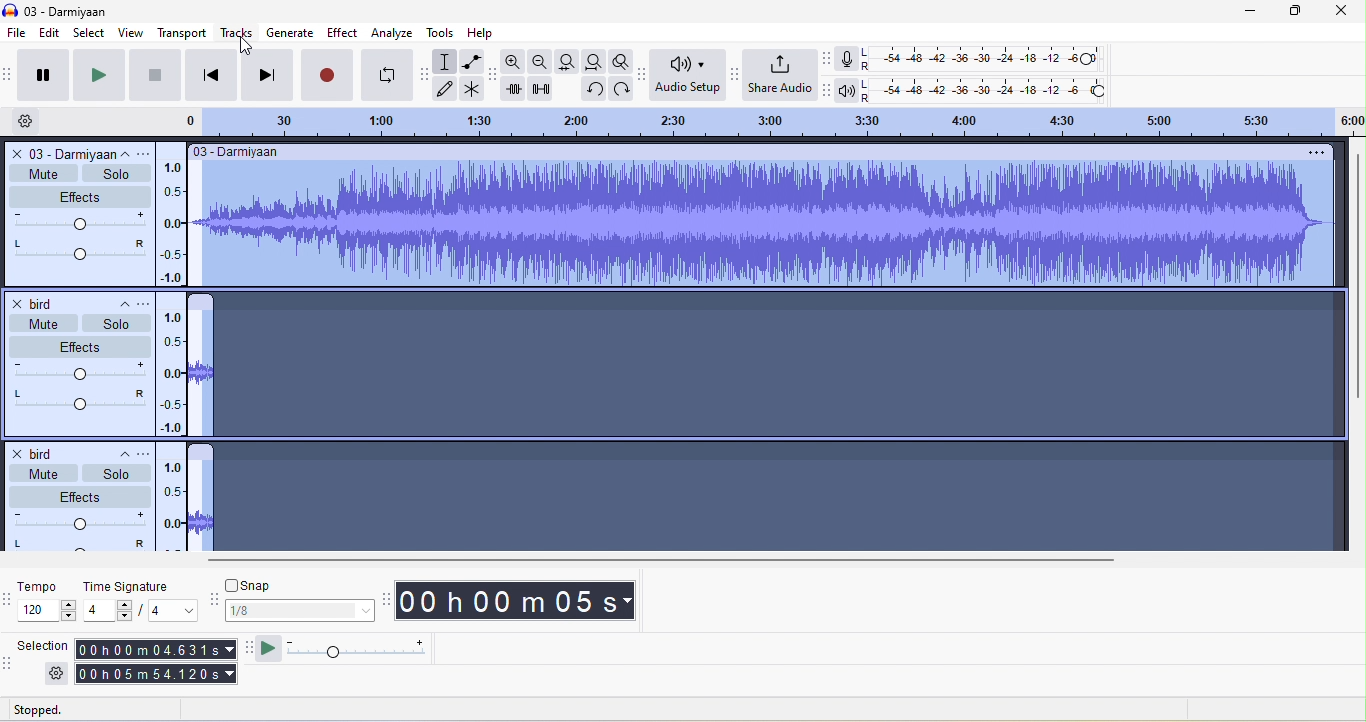 The width and height of the screenshot is (1366, 722). What do you see at coordinates (266, 650) in the screenshot?
I see `play at speed once` at bounding box center [266, 650].